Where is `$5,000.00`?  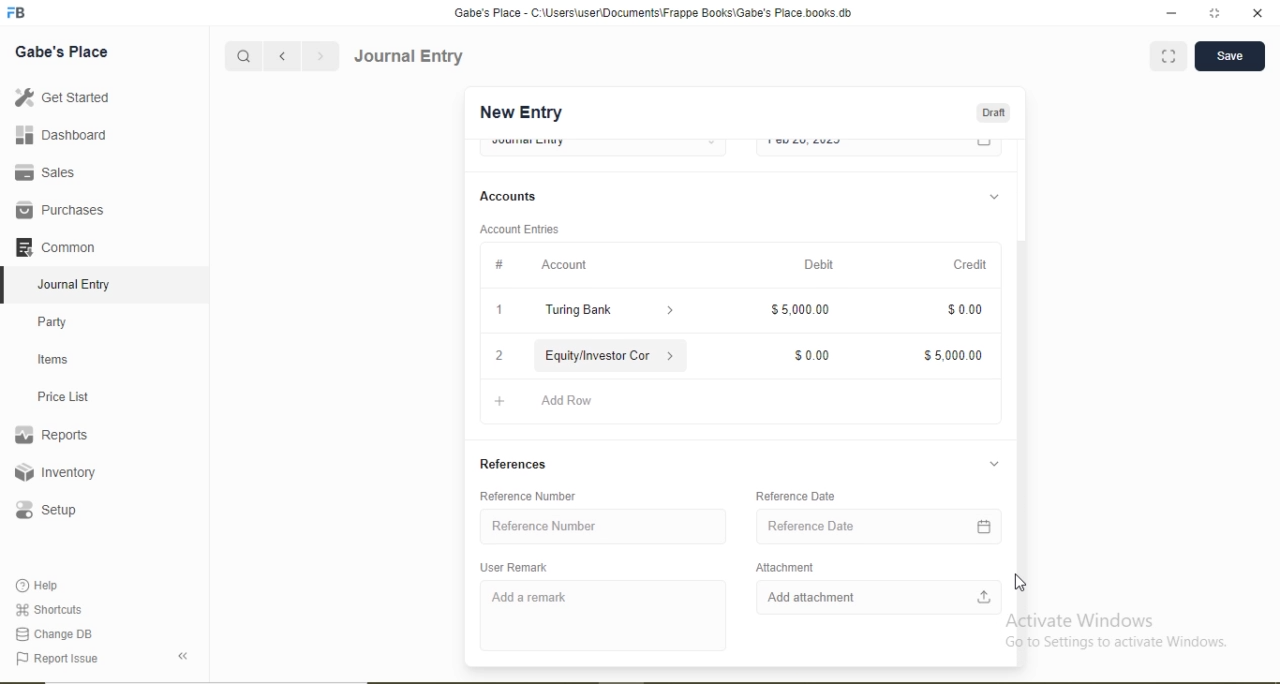 $5,000.00 is located at coordinates (952, 356).